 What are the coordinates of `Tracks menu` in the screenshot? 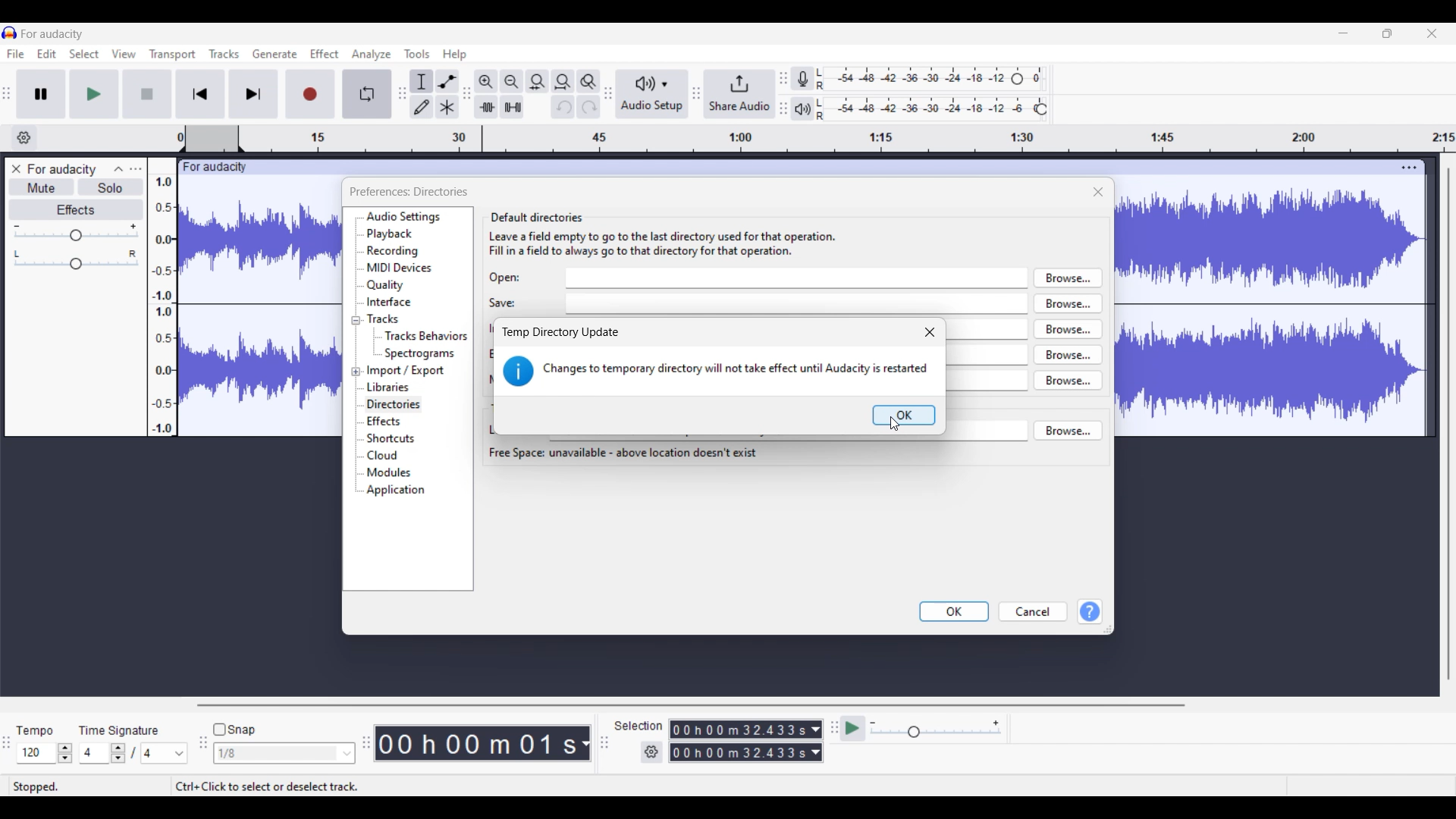 It's located at (224, 54).